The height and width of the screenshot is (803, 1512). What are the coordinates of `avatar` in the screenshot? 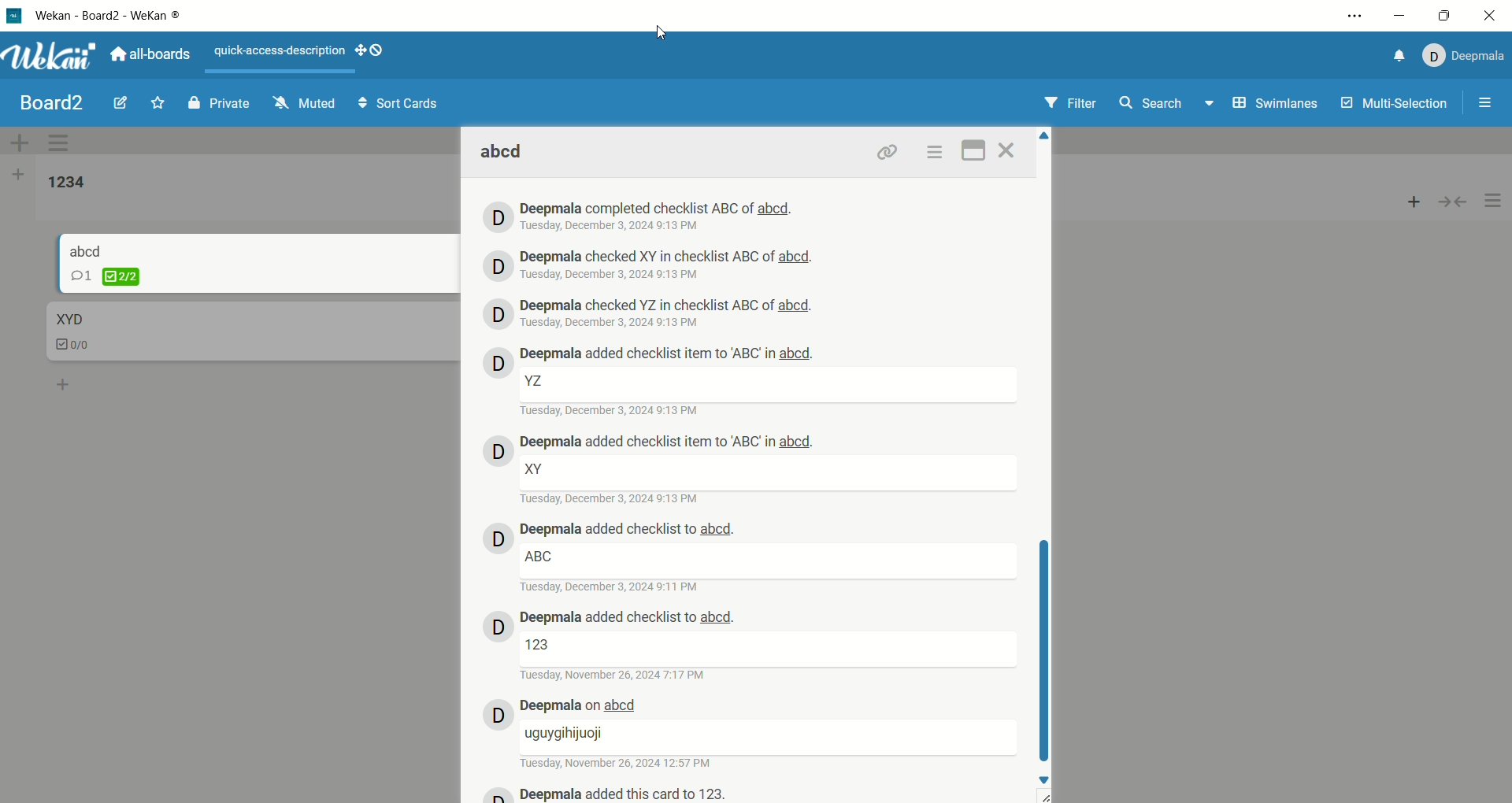 It's located at (498, 538).